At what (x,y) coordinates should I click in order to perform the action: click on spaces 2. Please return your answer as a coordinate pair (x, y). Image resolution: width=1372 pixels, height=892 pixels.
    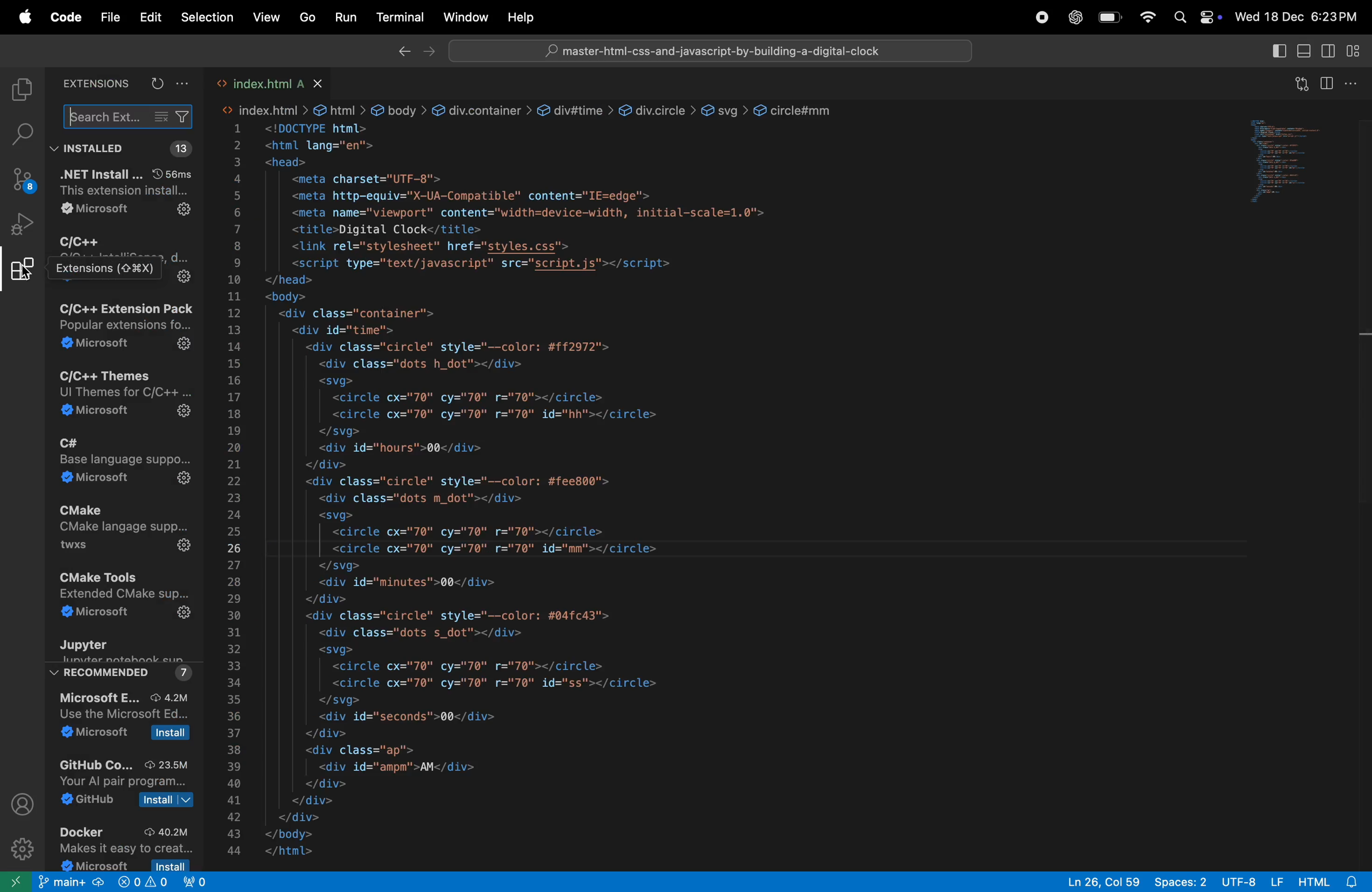
    Looking at the image, I should click on (1178, 881).